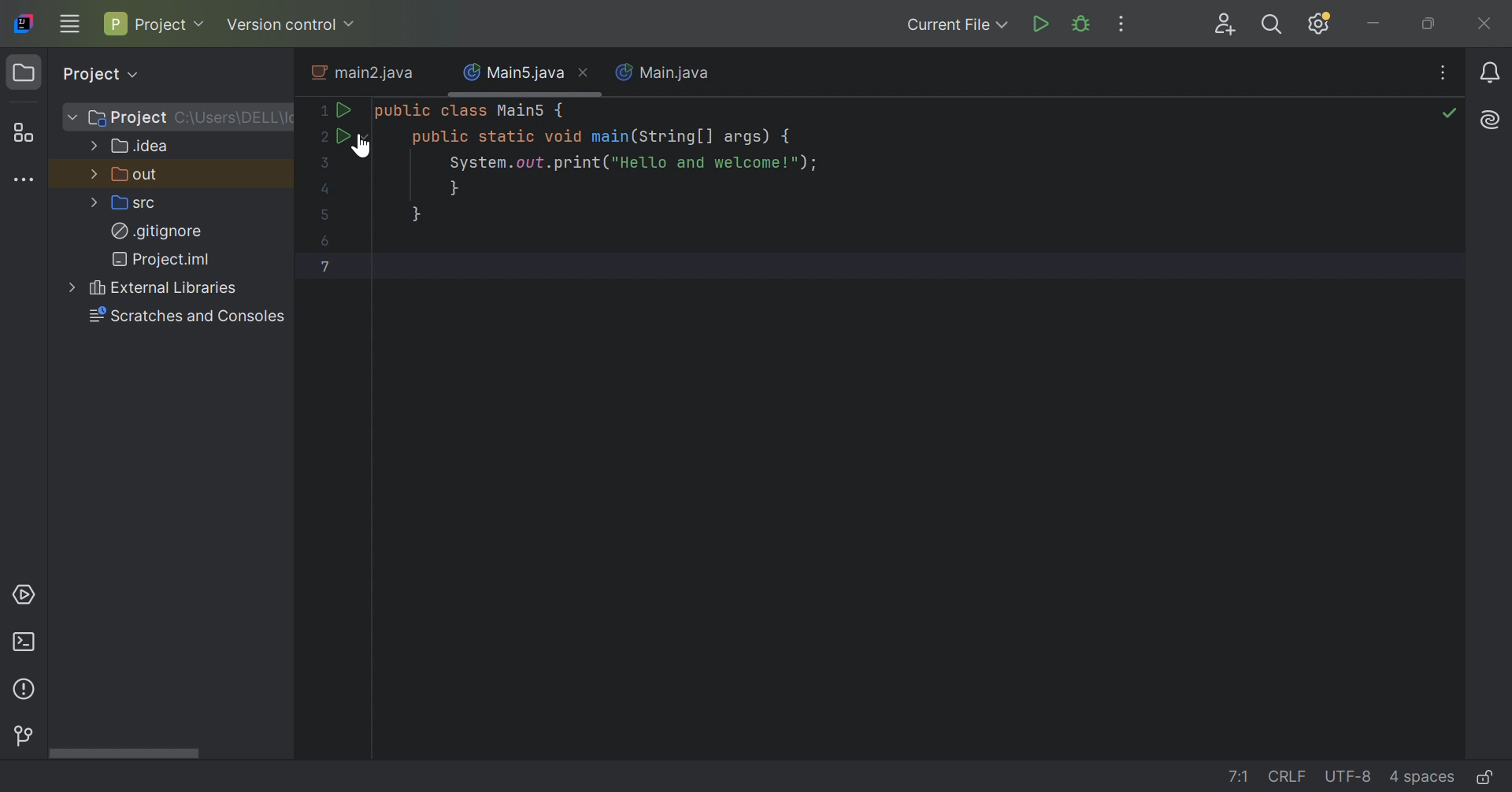 This screenshot has width=1512, height=792. I want to click on 6, so click(326, 241).